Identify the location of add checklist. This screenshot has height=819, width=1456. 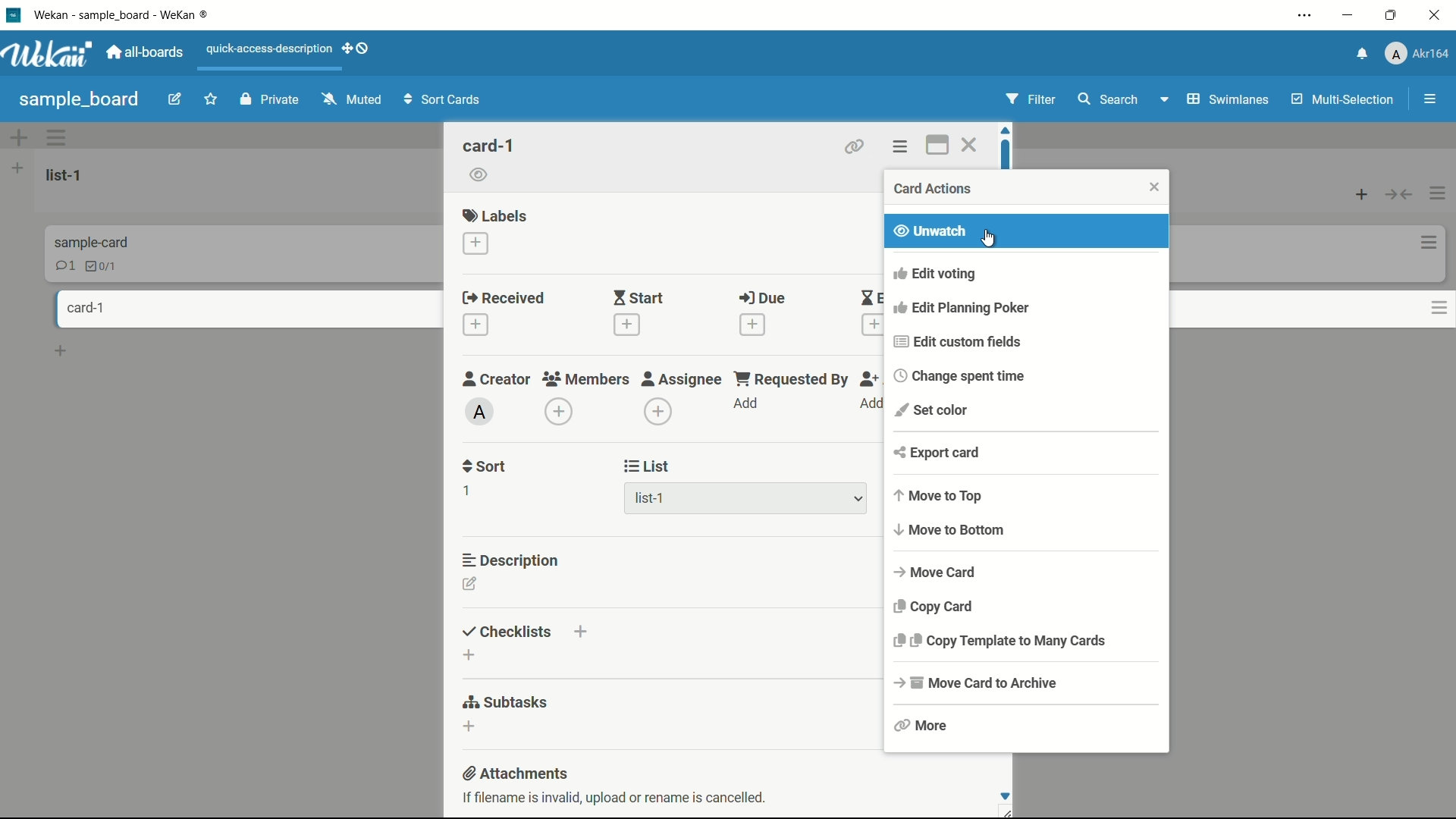
(582, 633).